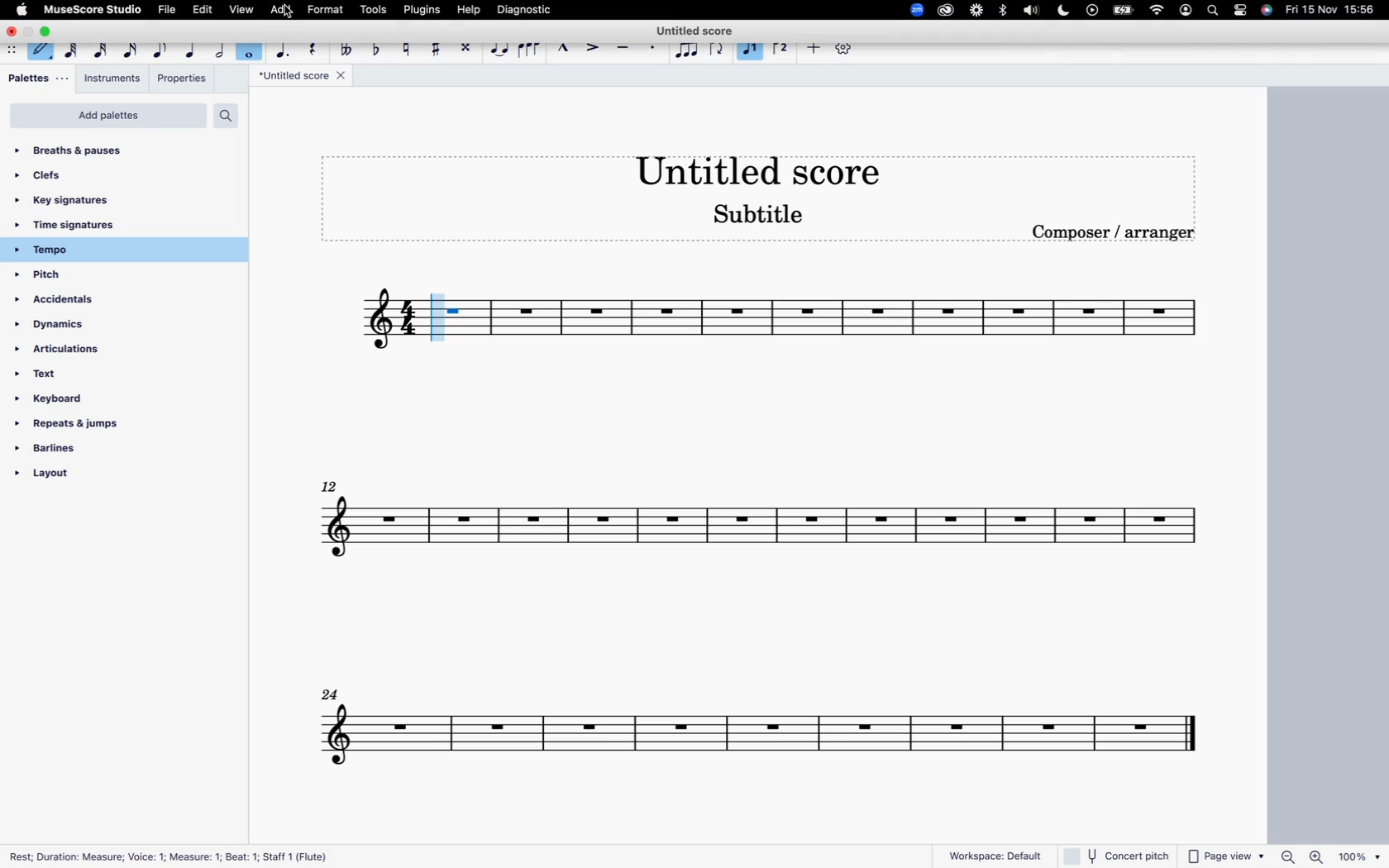 This screenshot has height=868, width=1389. Describe the element at coordinates (1120, 853) in the screenshot. I see `concert pitch` at that location.